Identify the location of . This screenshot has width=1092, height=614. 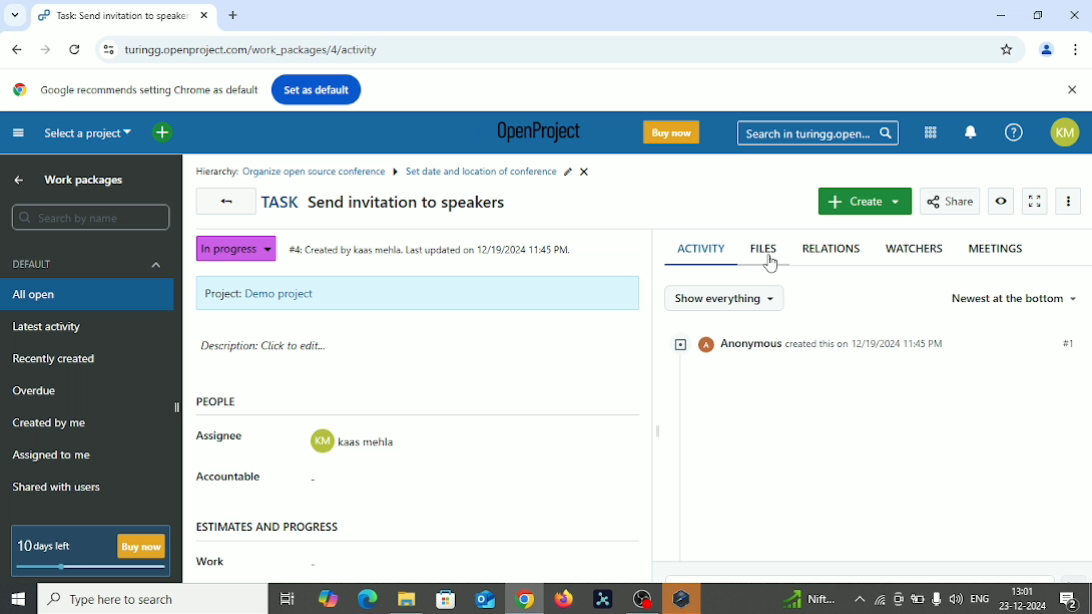
(572, 72).